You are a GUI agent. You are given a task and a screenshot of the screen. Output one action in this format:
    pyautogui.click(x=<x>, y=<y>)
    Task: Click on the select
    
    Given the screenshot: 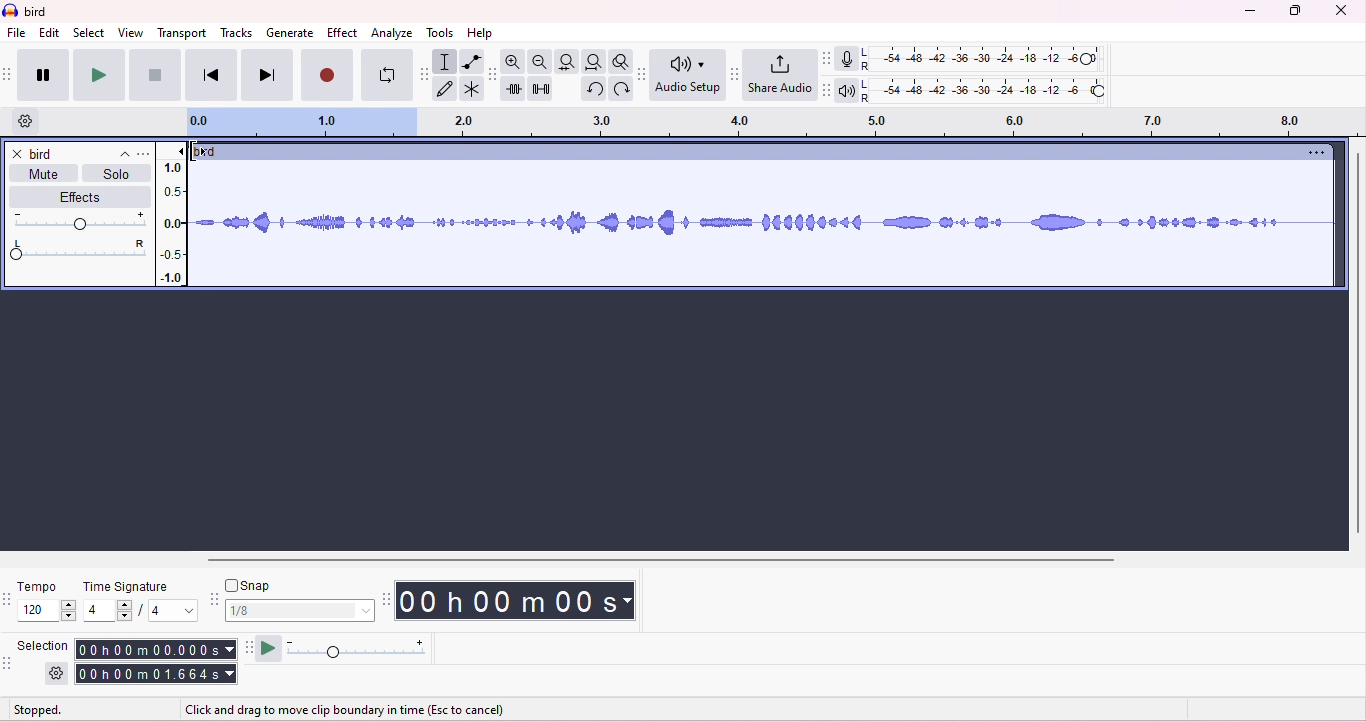 What is the action you would take?
    pyautogui.click(x=90, y=32)
    